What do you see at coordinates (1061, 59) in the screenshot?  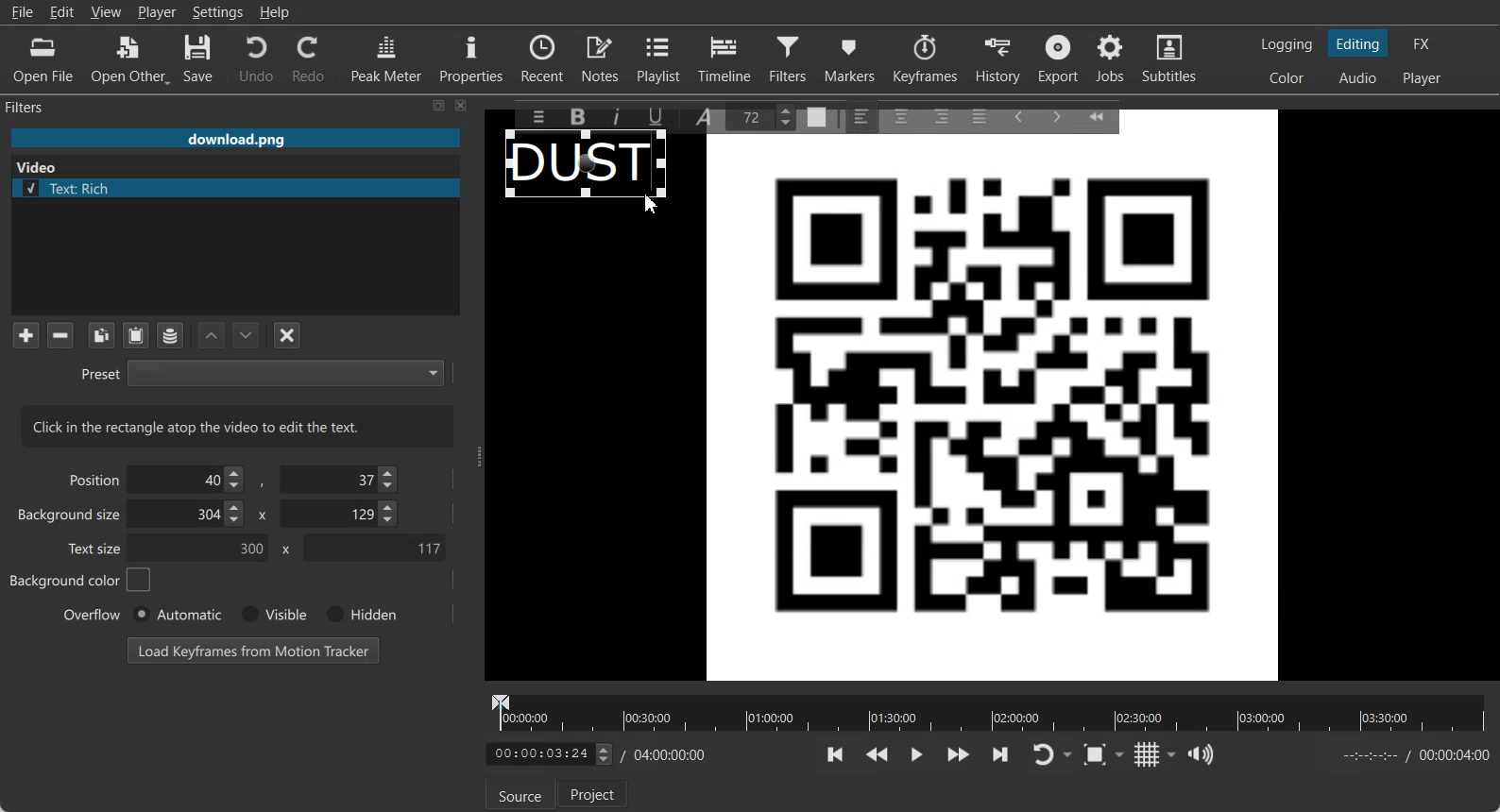 I see `Export` at bounding box center [1061, 59].